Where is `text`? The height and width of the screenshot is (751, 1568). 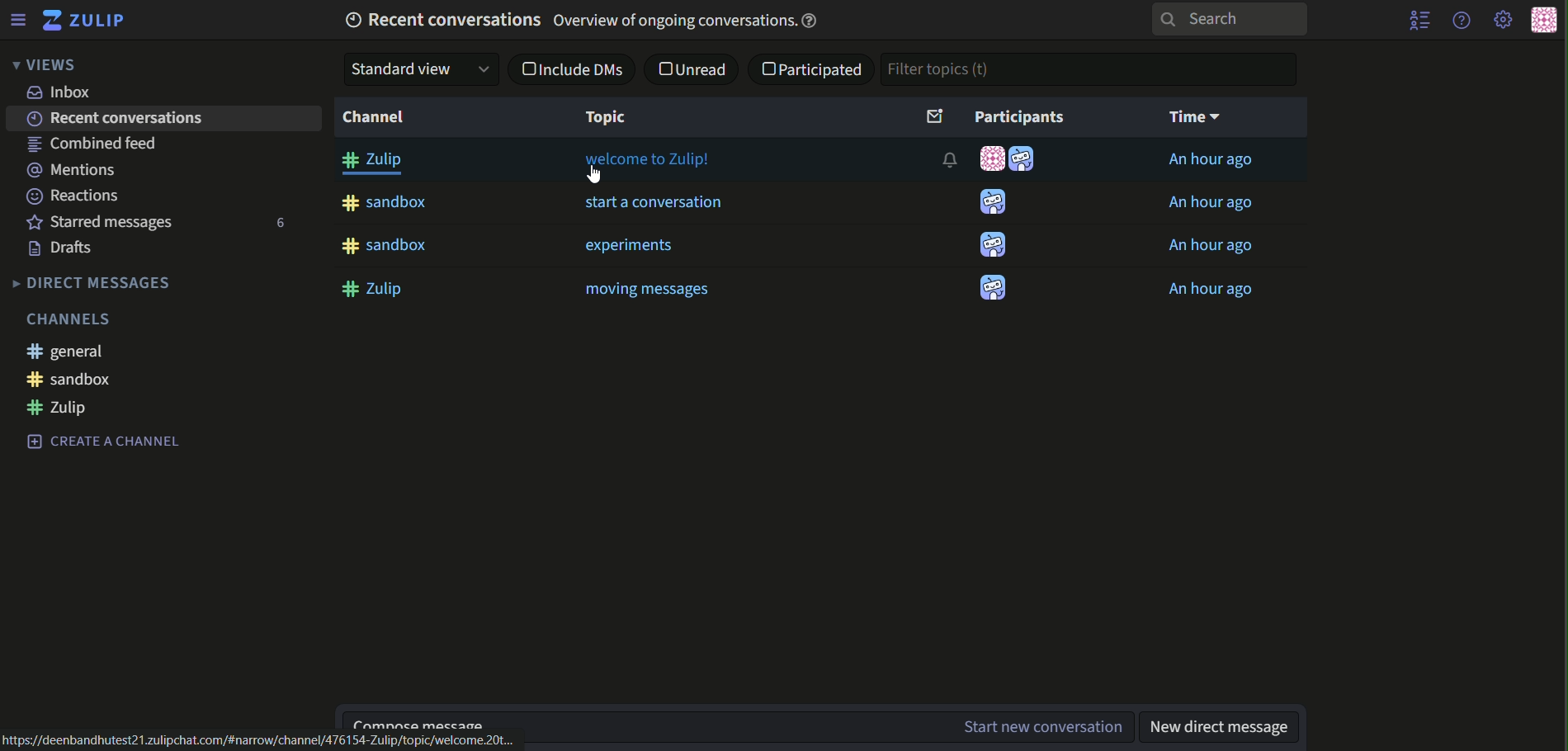
text is located at coordinates (163, 120).